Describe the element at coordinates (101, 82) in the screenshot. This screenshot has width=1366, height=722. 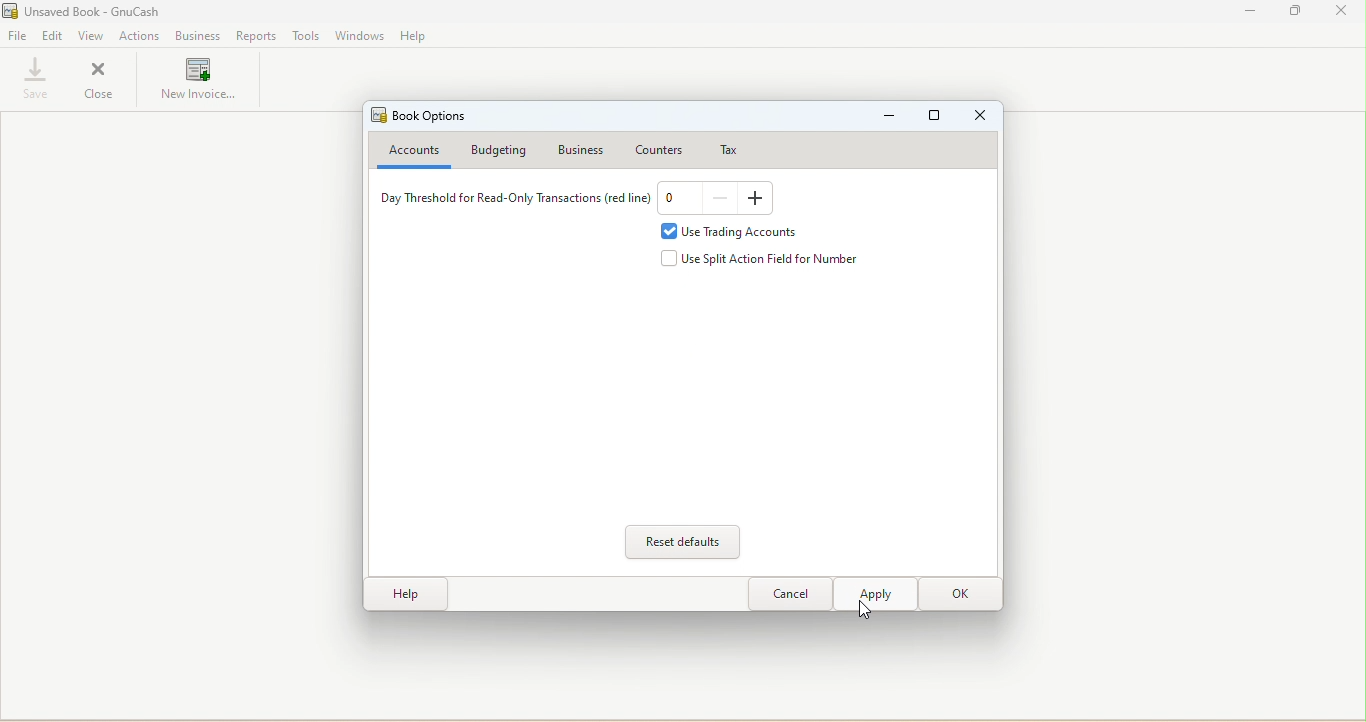
I see `Close` at that location.